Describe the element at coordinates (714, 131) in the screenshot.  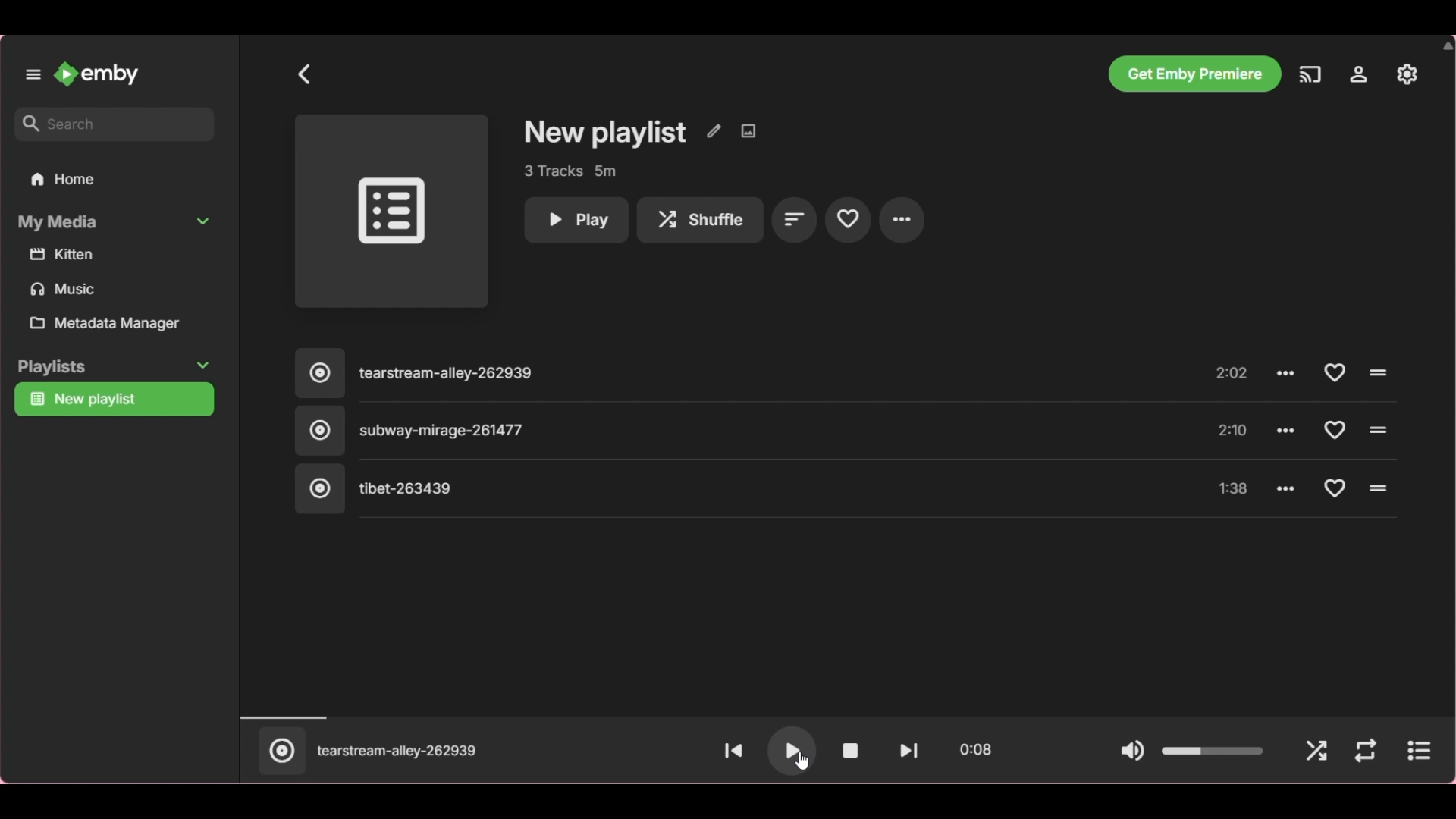
I see `Edit metadata` at that location.